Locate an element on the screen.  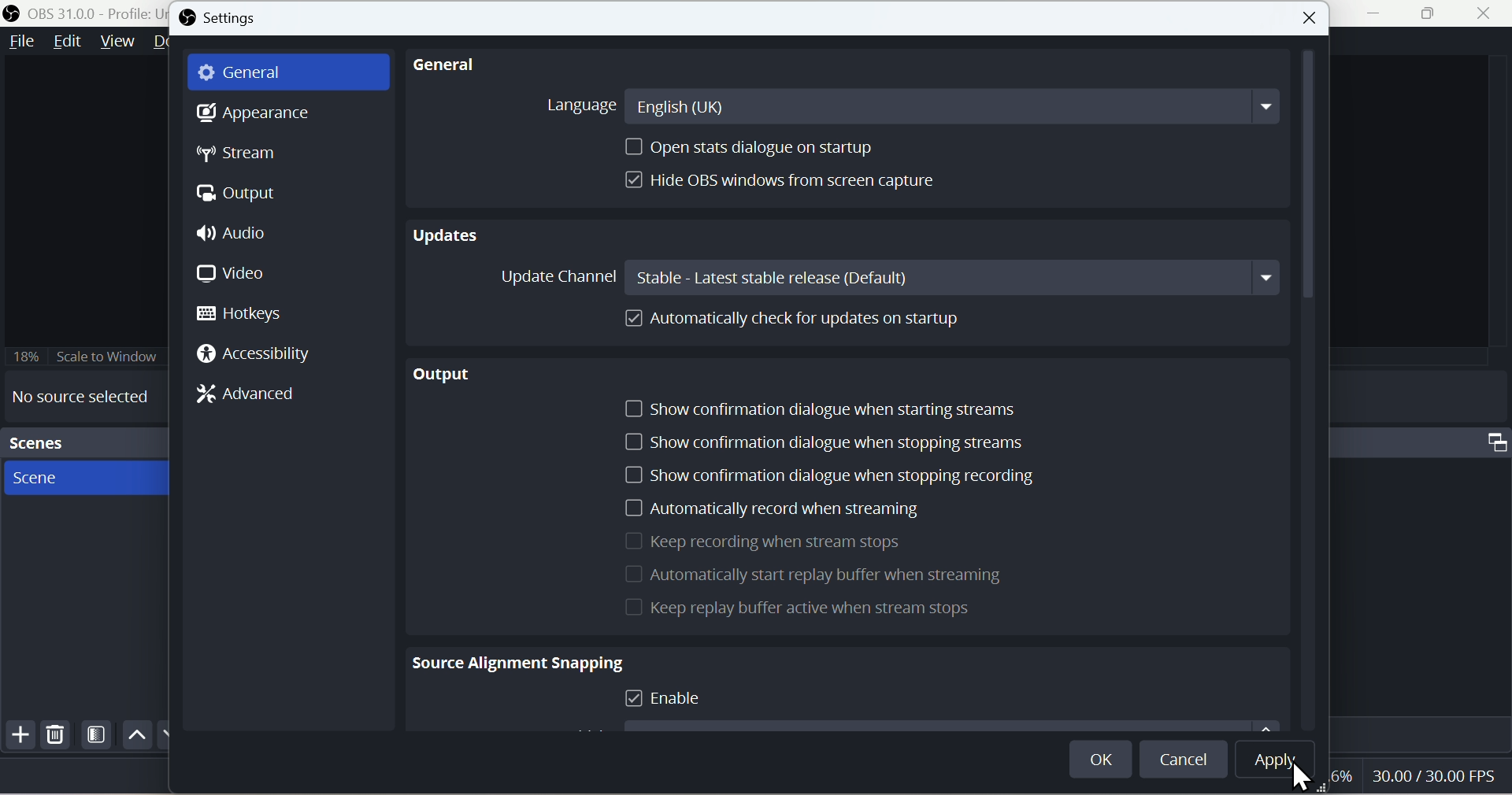
Updates is located at coordinates (449, 240).